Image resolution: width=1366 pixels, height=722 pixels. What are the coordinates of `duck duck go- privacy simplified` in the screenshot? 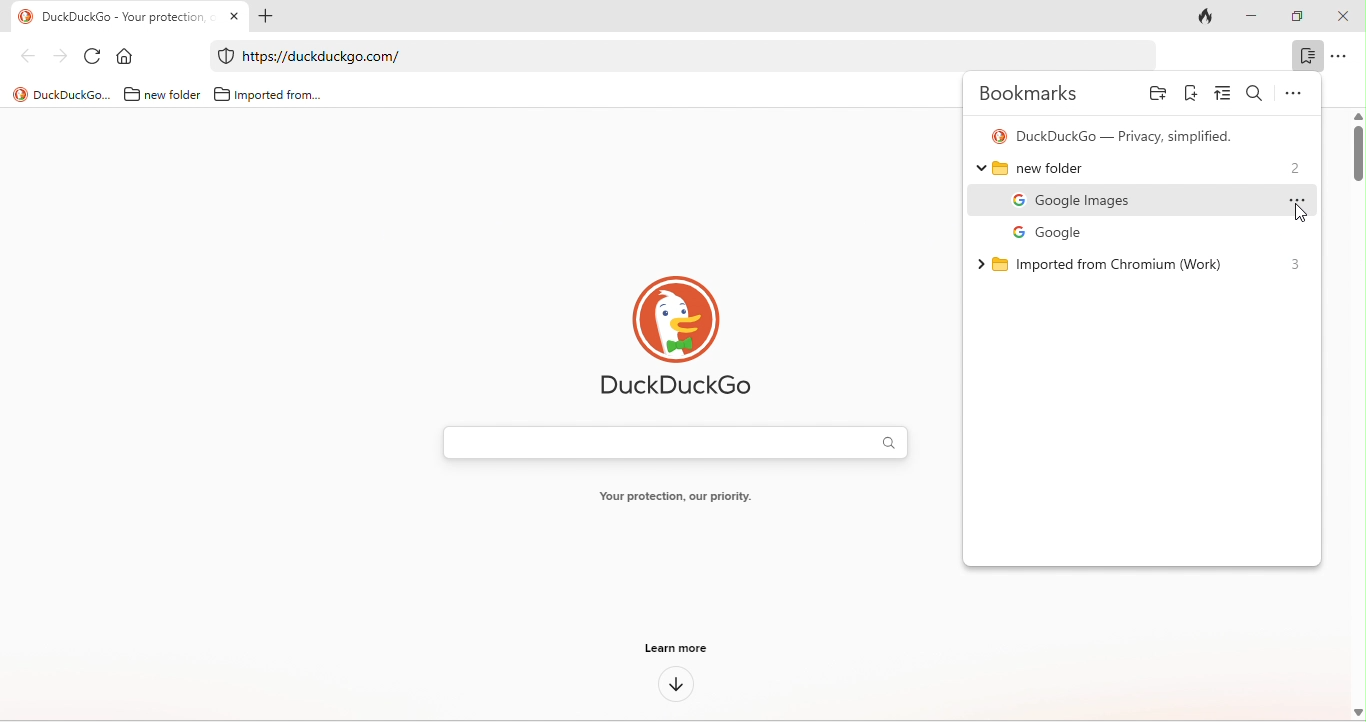 It's located at (1116, 136).